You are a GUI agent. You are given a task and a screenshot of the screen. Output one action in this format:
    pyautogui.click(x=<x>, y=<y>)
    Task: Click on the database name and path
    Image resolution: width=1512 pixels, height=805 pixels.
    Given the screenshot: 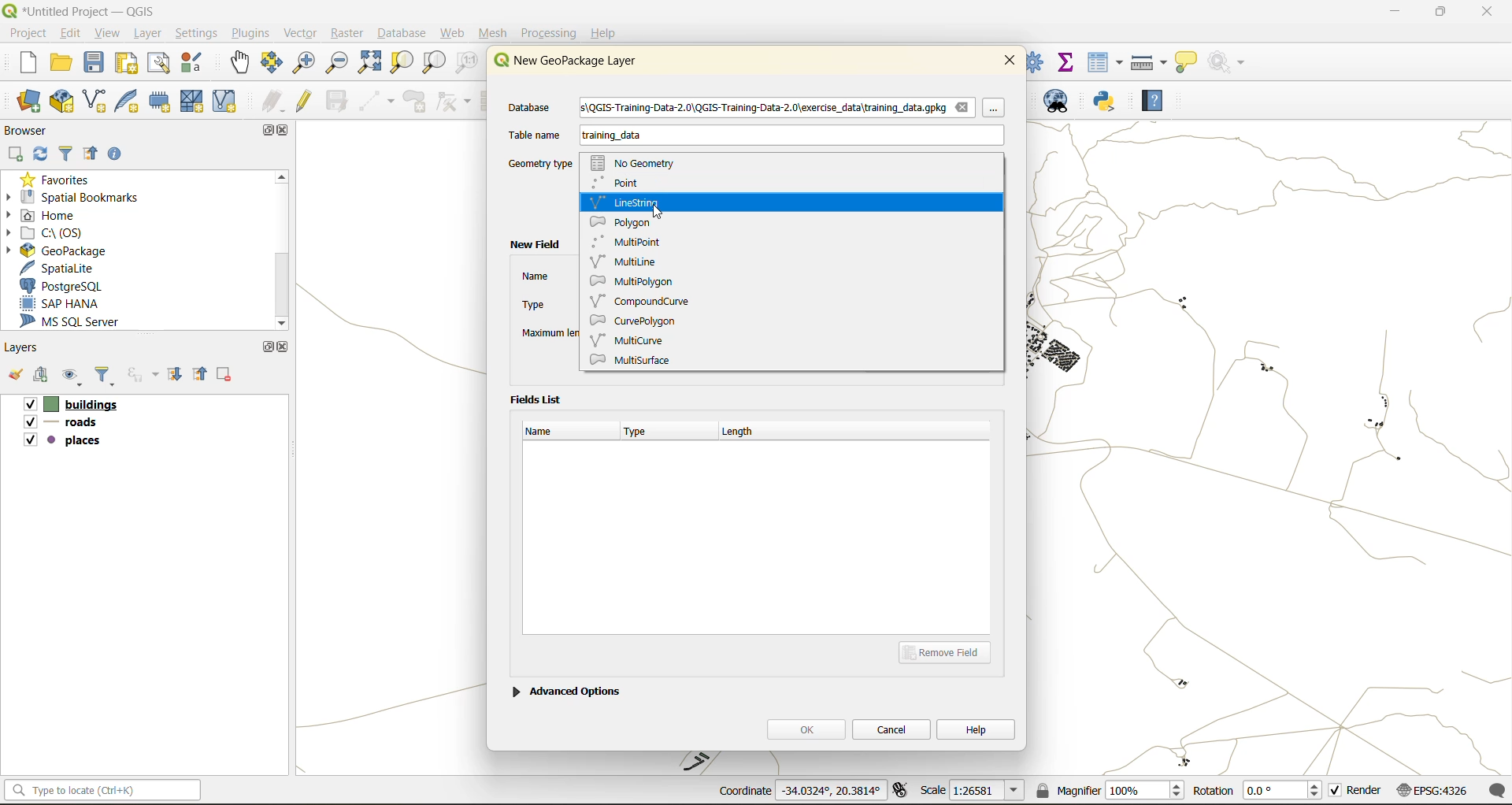 What is the action you would take?
    pyautogui.click(x=778, y=109)
    